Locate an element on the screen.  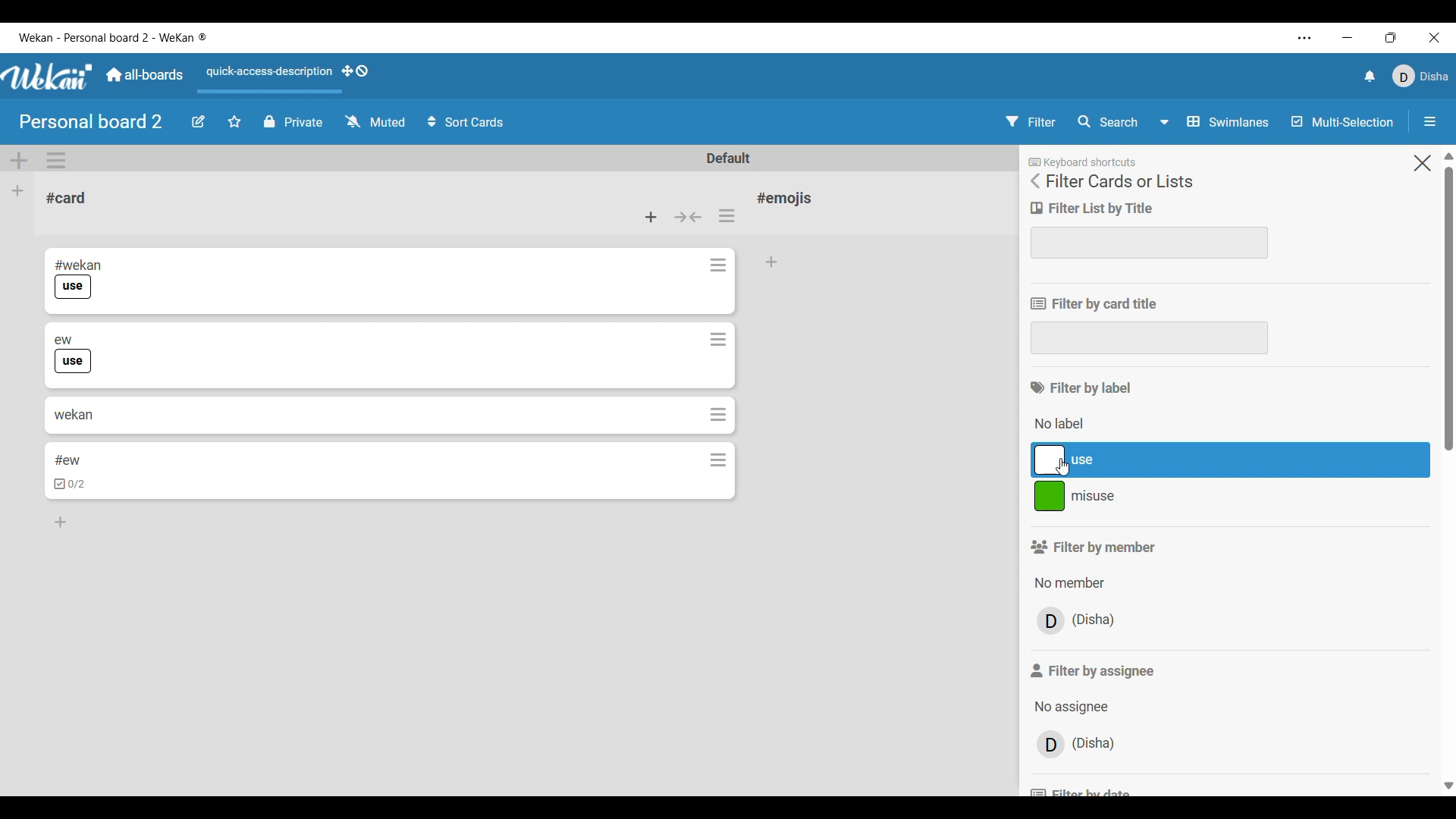
Watch options is located at coordinates (375, 121).